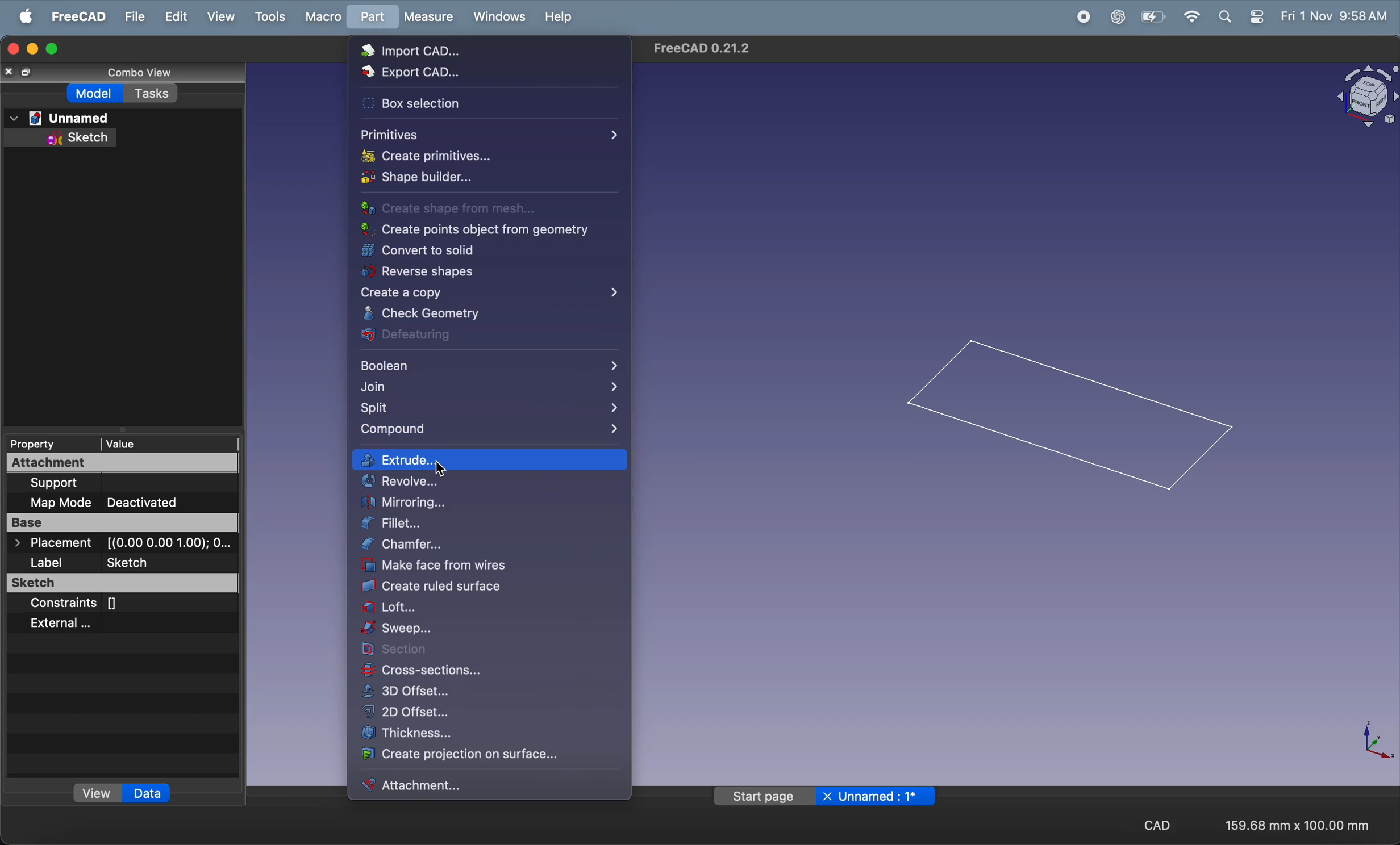 Image resolution: width=1400 pixels, height=845 pixels. I want to click on help, so click(559, 20).